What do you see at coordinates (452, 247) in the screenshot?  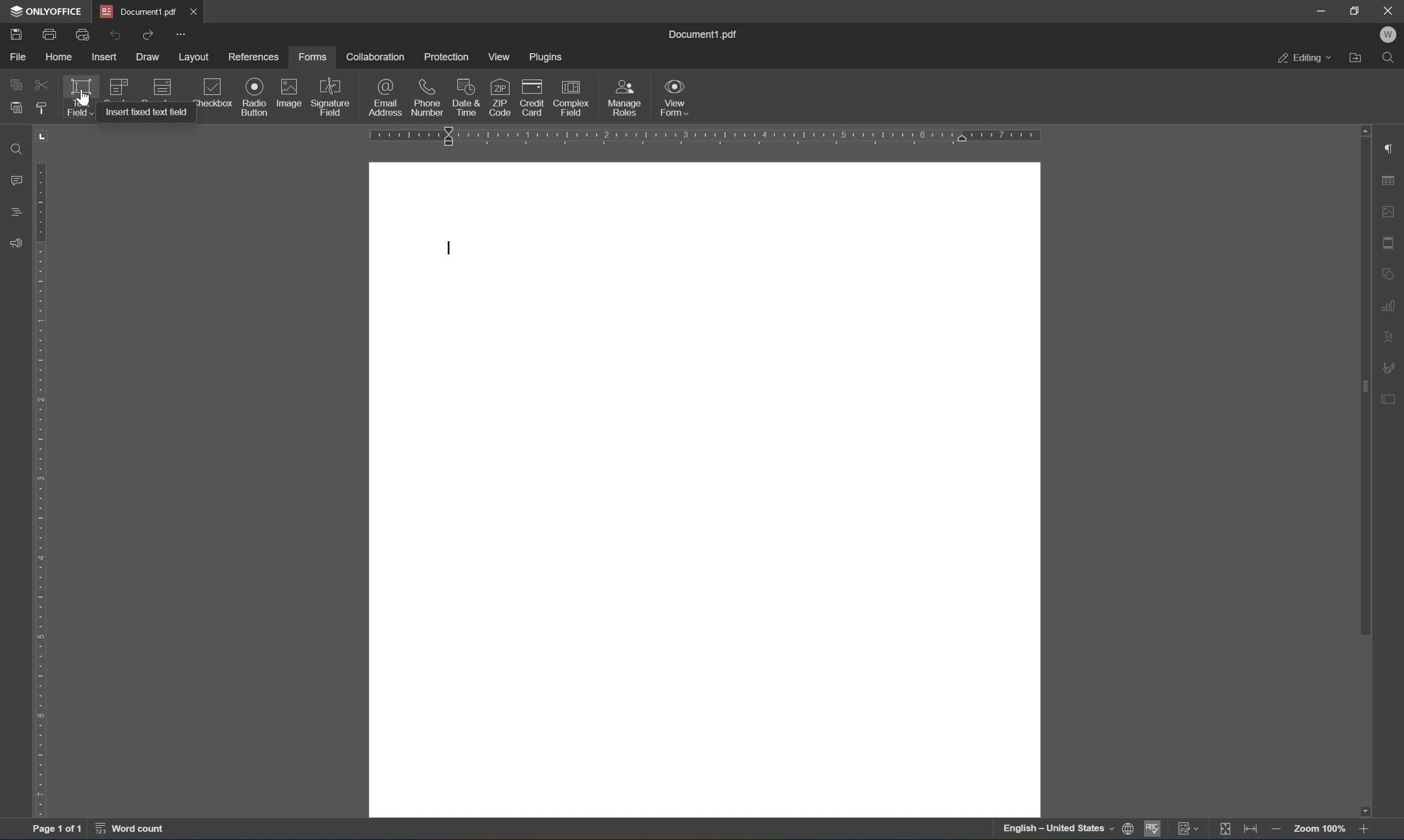 I see `typing cursor` at bounding box center [452, 247].